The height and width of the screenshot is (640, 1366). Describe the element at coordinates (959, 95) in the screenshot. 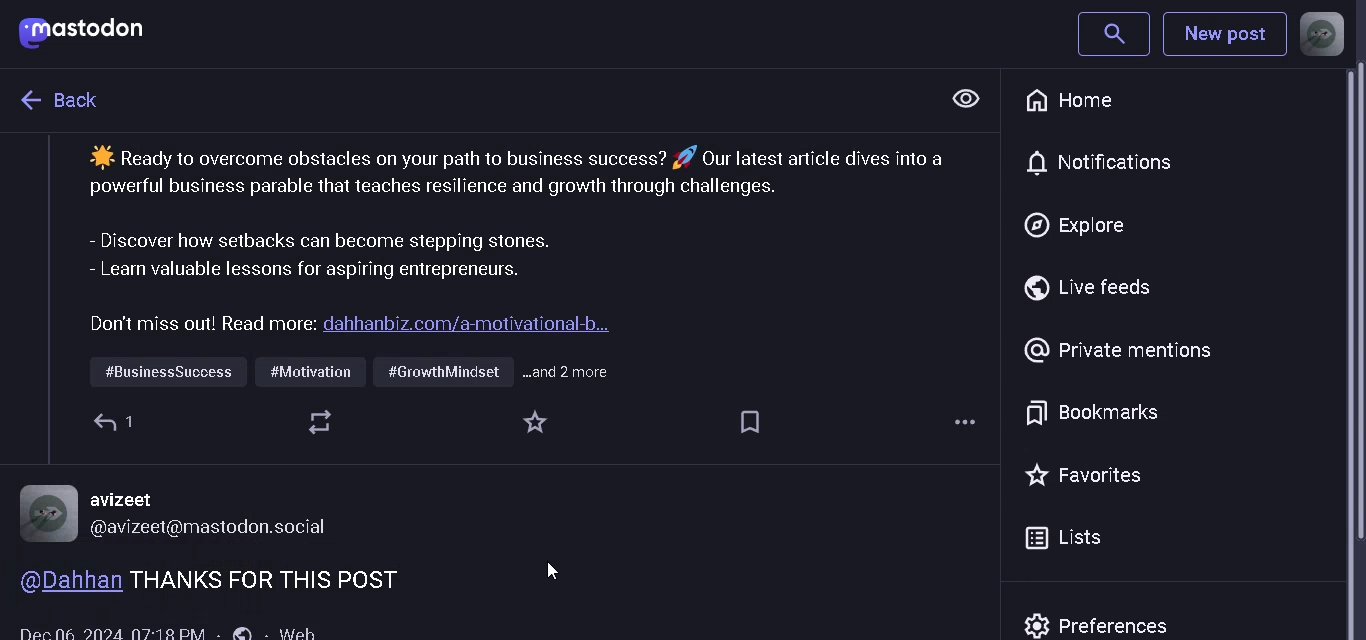

I see `View` at that location.